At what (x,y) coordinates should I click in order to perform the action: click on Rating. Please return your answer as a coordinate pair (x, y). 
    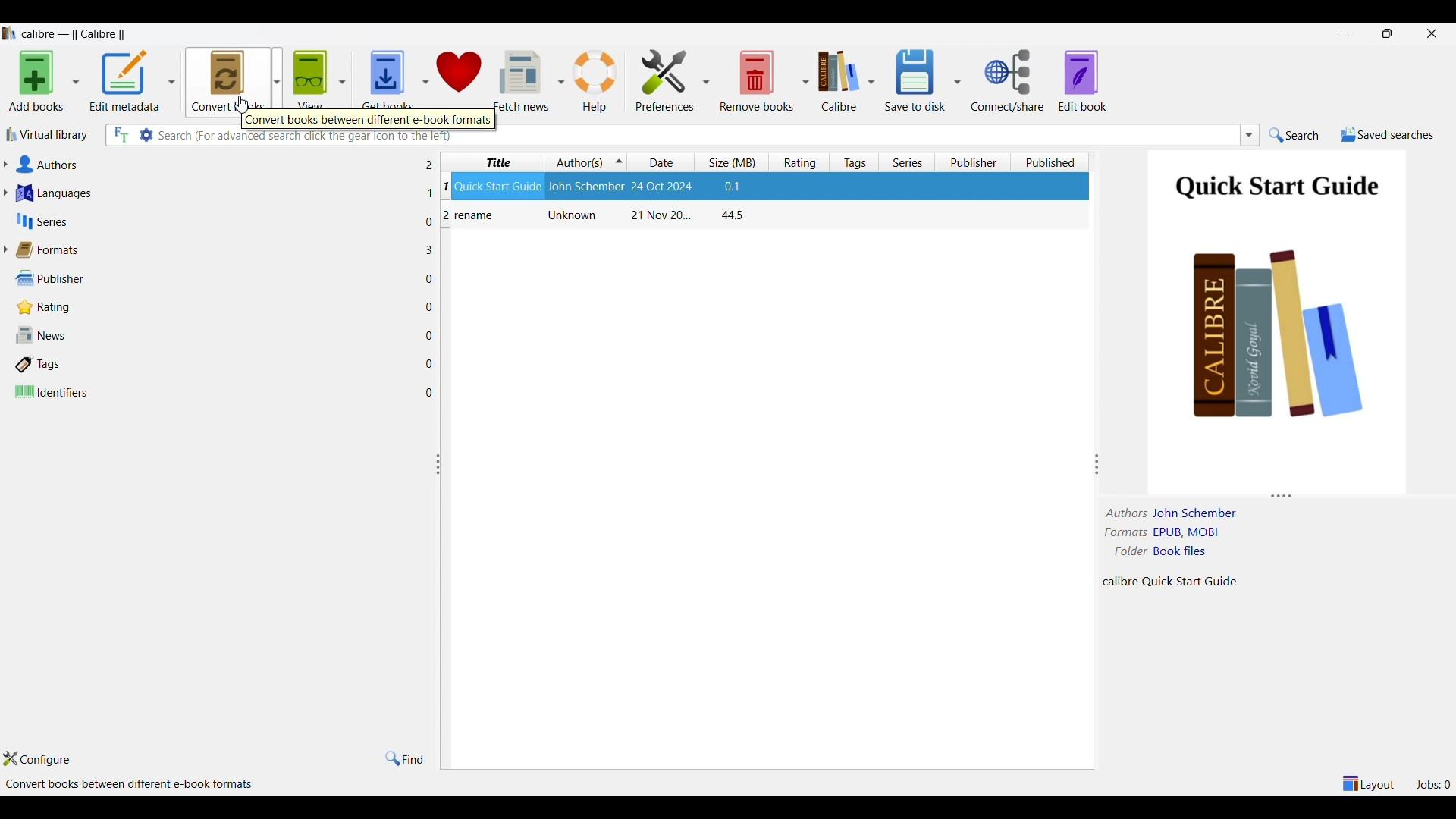
    Looking at the image, I should click on (215, 307).